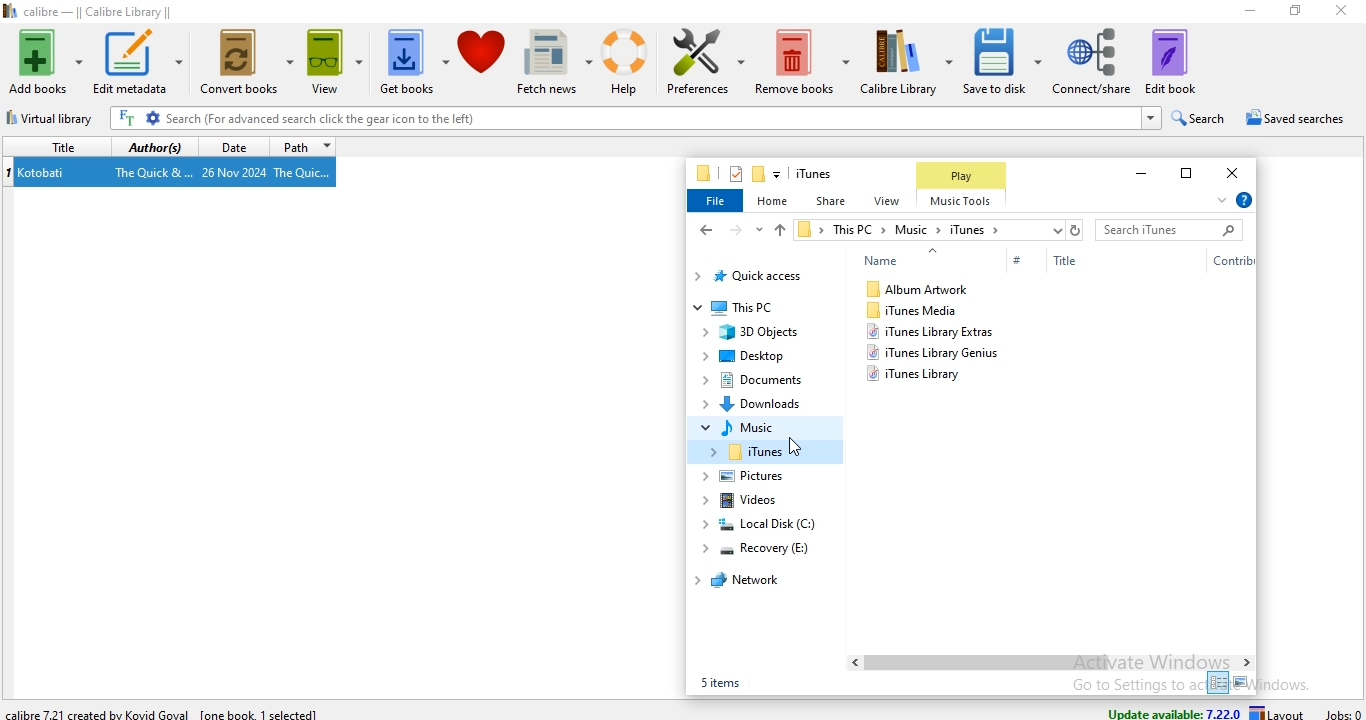  What do you see at coordinates (778, 230) in the screenshot?
I see `up file path` at bounding box center [778, 230].